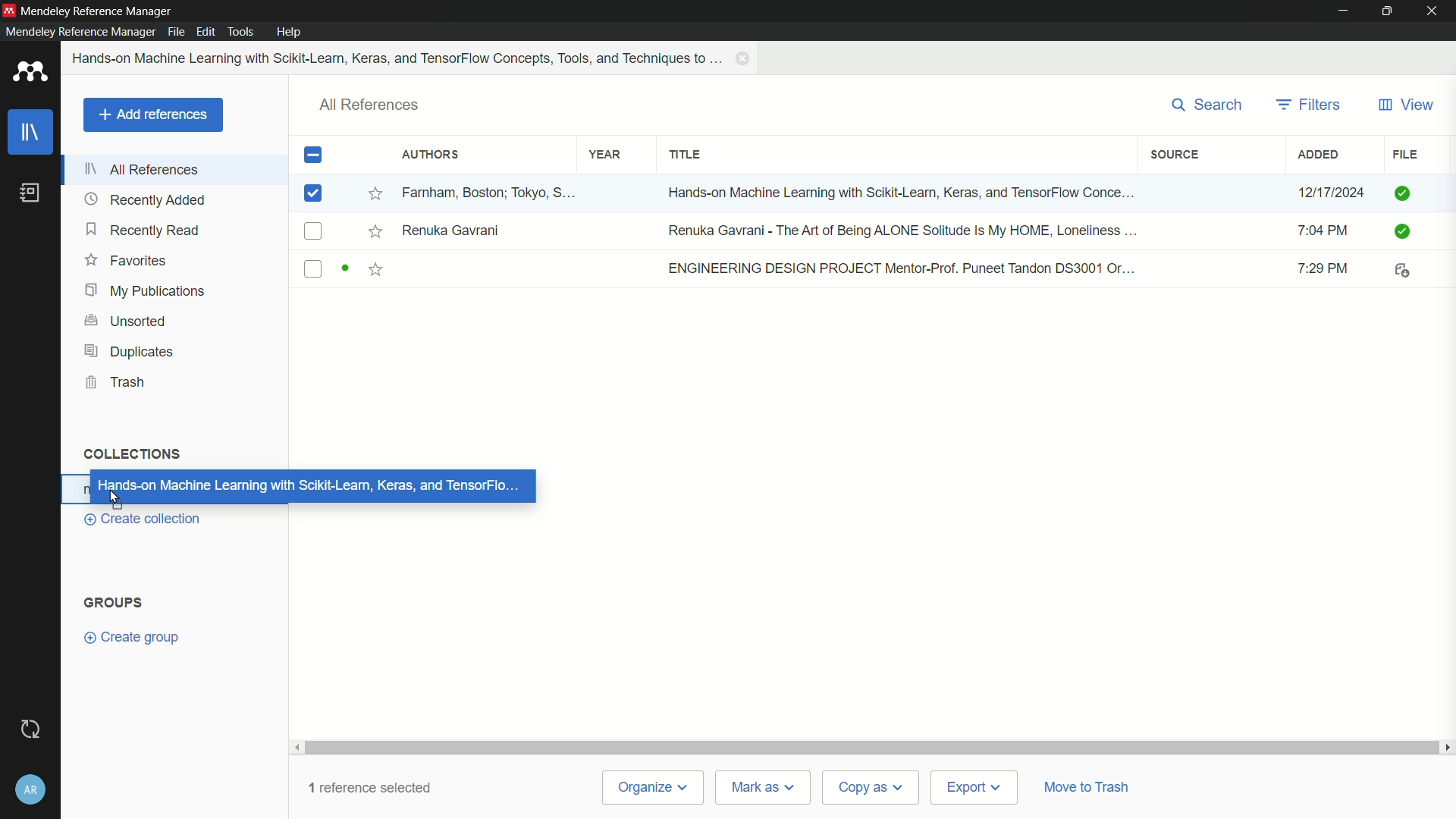 This screenshot has width=1456, height=819. I want to click on export, so click(972, 789).